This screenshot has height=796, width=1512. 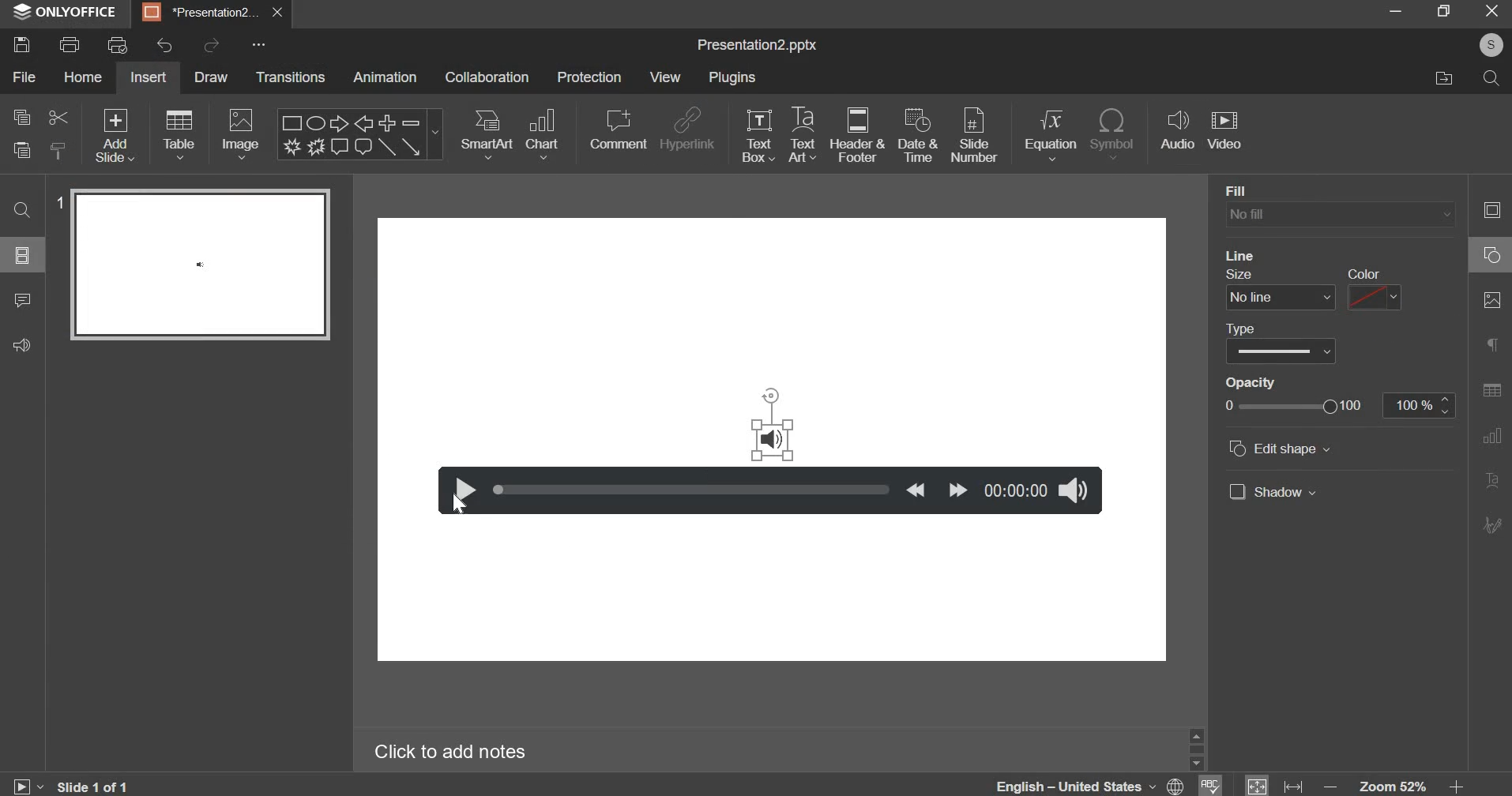 I want to click on maximize, so click(x=1442, y=12).